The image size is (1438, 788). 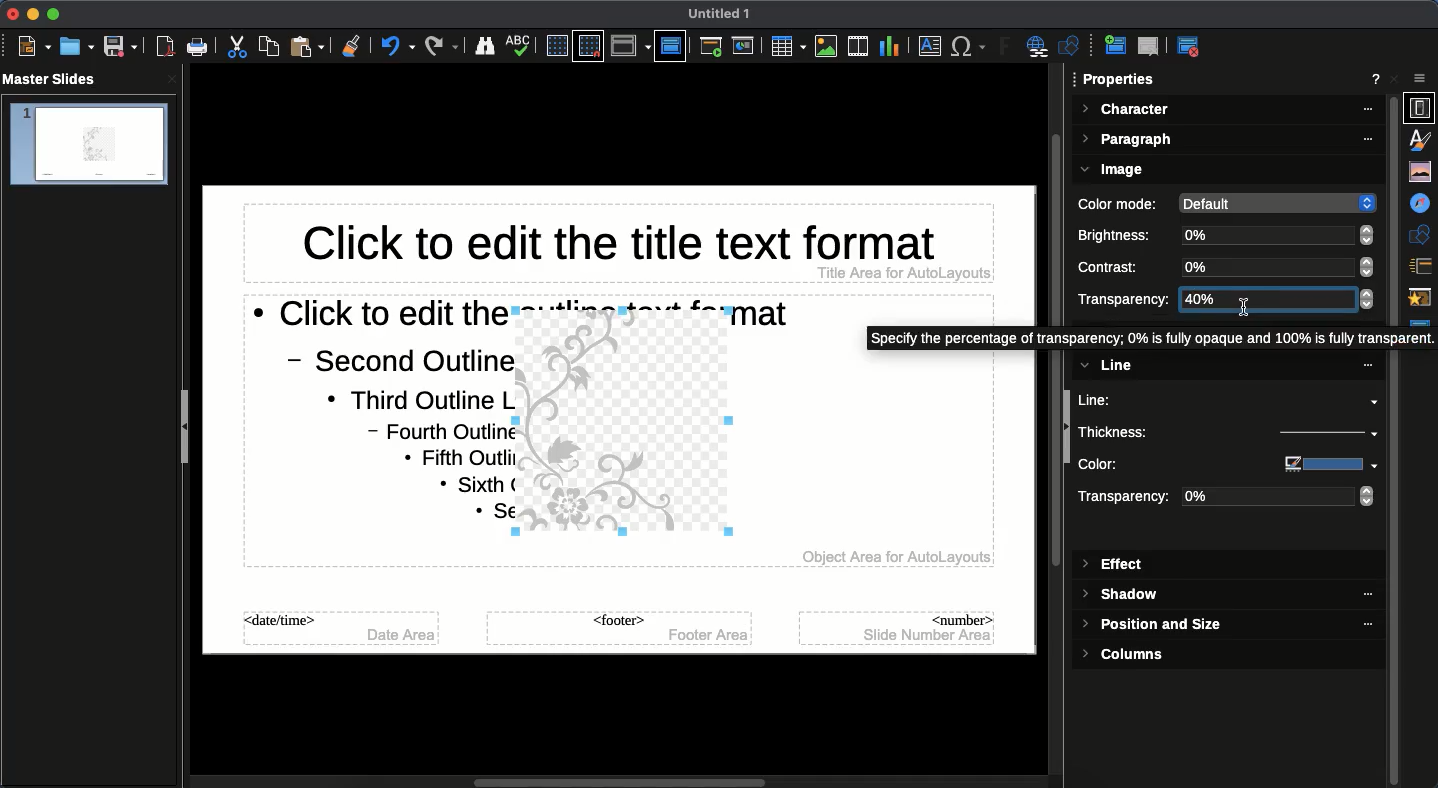 I want to click on Master slide date time, so click(x=342, y=632).